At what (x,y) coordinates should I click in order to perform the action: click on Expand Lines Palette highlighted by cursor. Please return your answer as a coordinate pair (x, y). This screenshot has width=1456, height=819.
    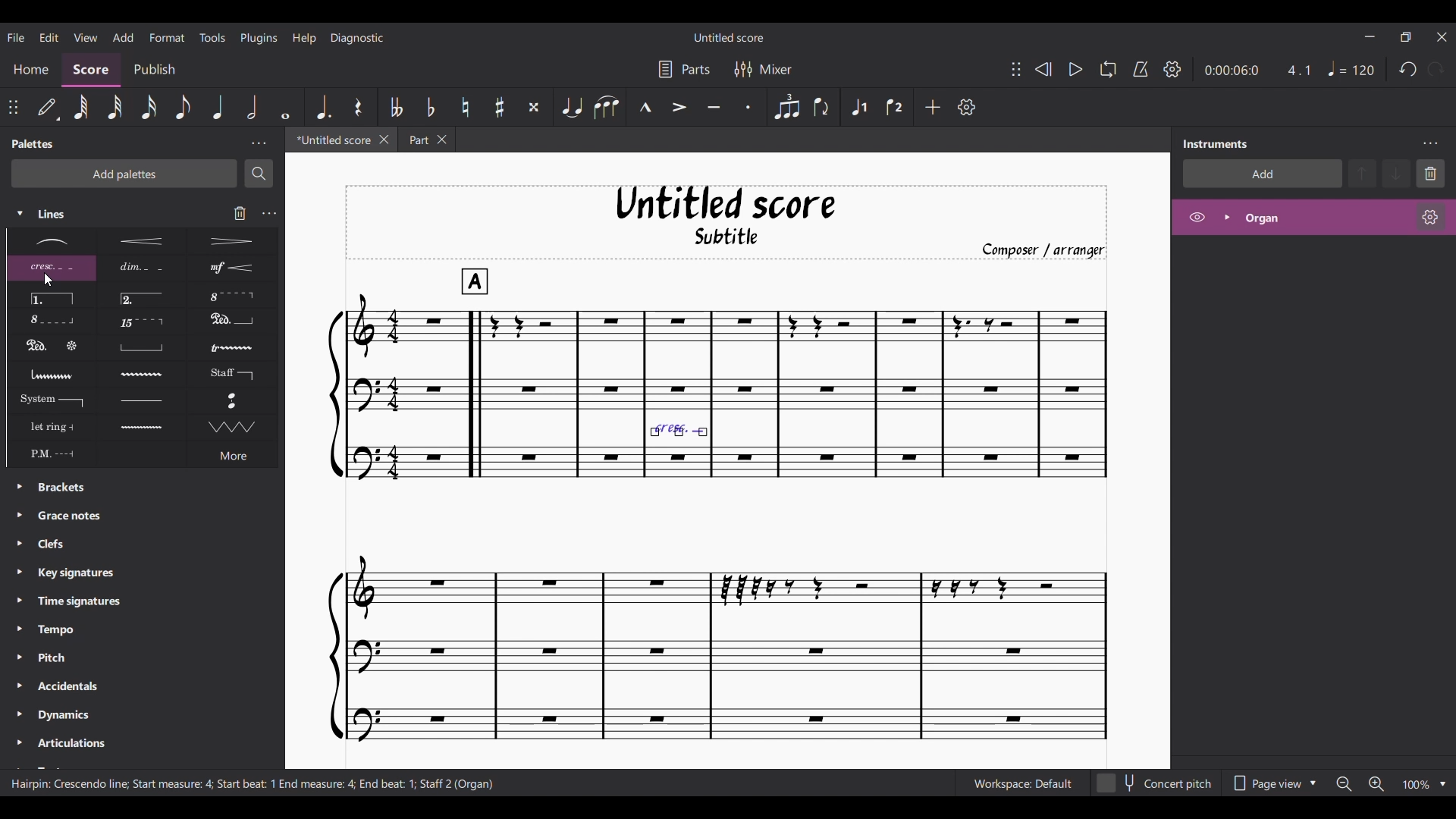
    Looking at the image, I should click on (20, 213).